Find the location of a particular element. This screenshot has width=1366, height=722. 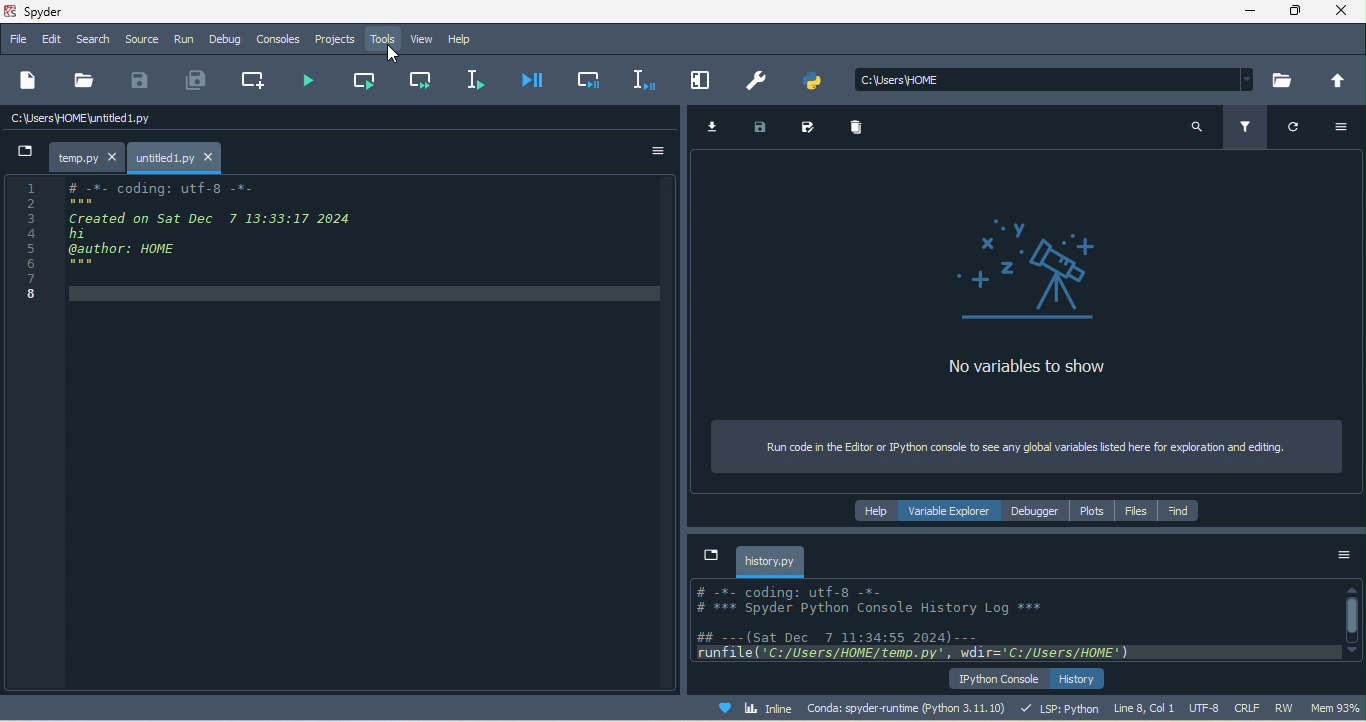

tools is located at coordinates (385, 37).